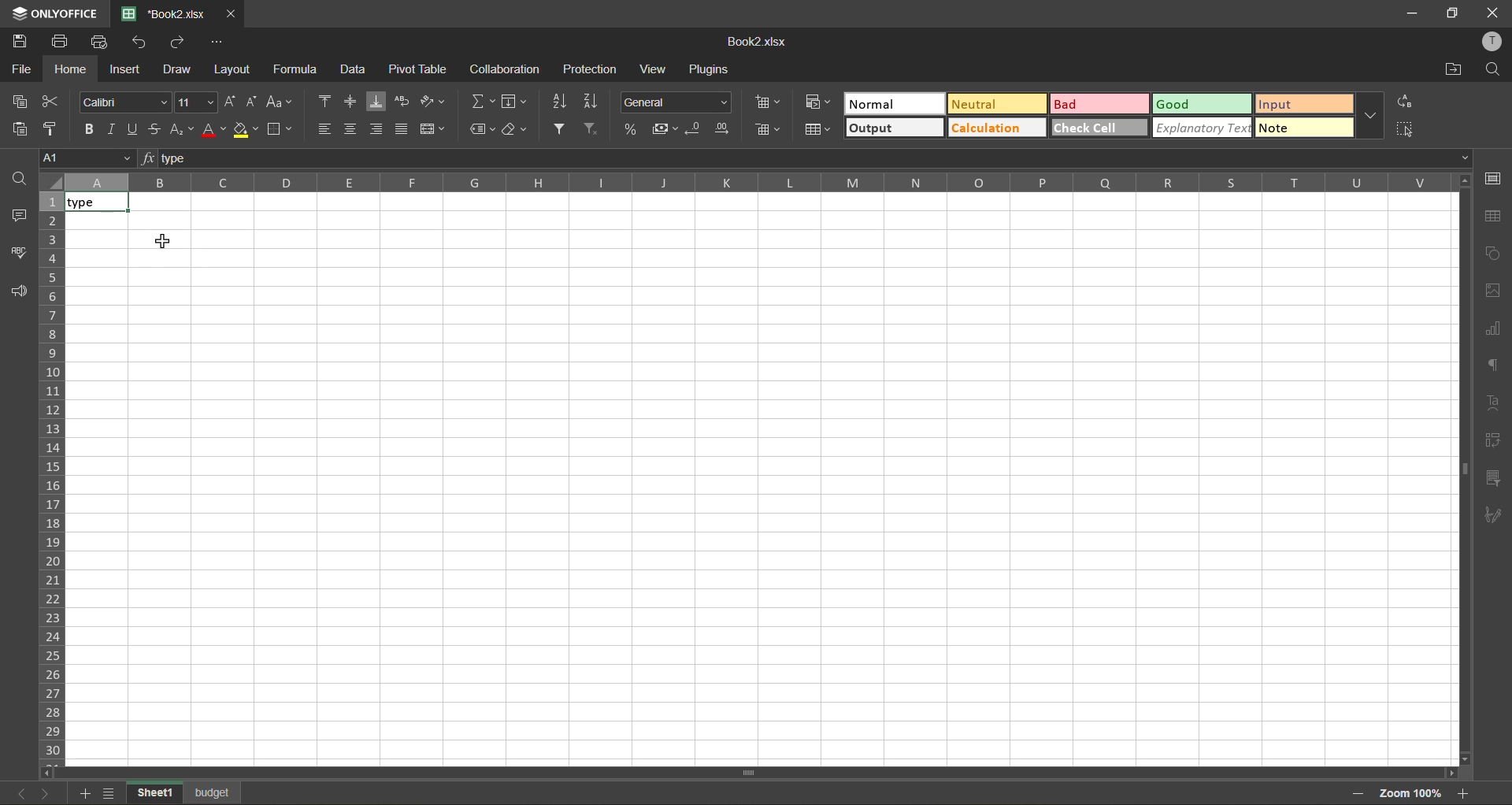 The width and height of the screenshot is (1512, 805). I want to click on formula bar, so click(807, 156).